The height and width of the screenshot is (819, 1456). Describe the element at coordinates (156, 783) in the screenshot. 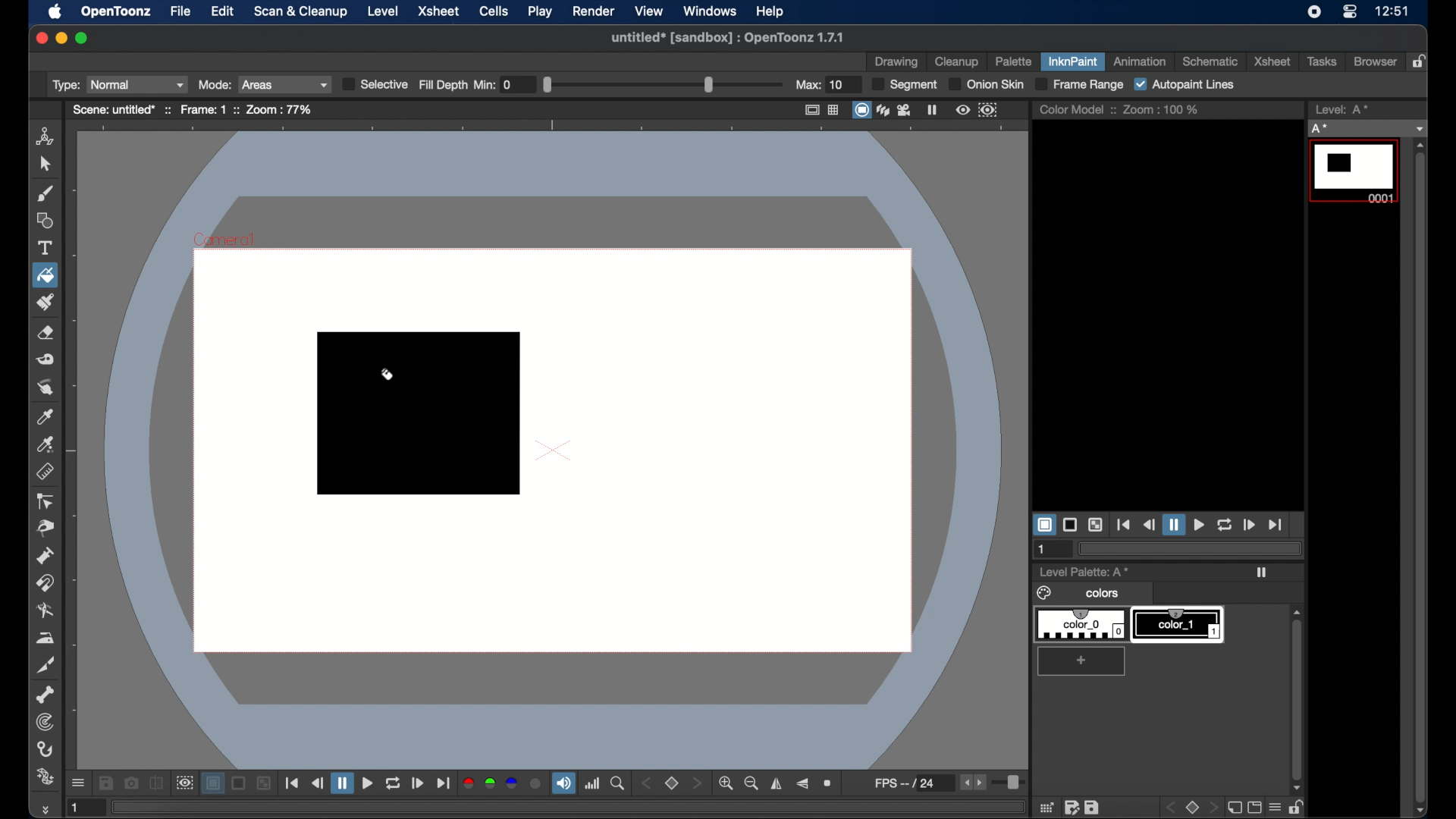

I see `compare to snapshot` at that location.